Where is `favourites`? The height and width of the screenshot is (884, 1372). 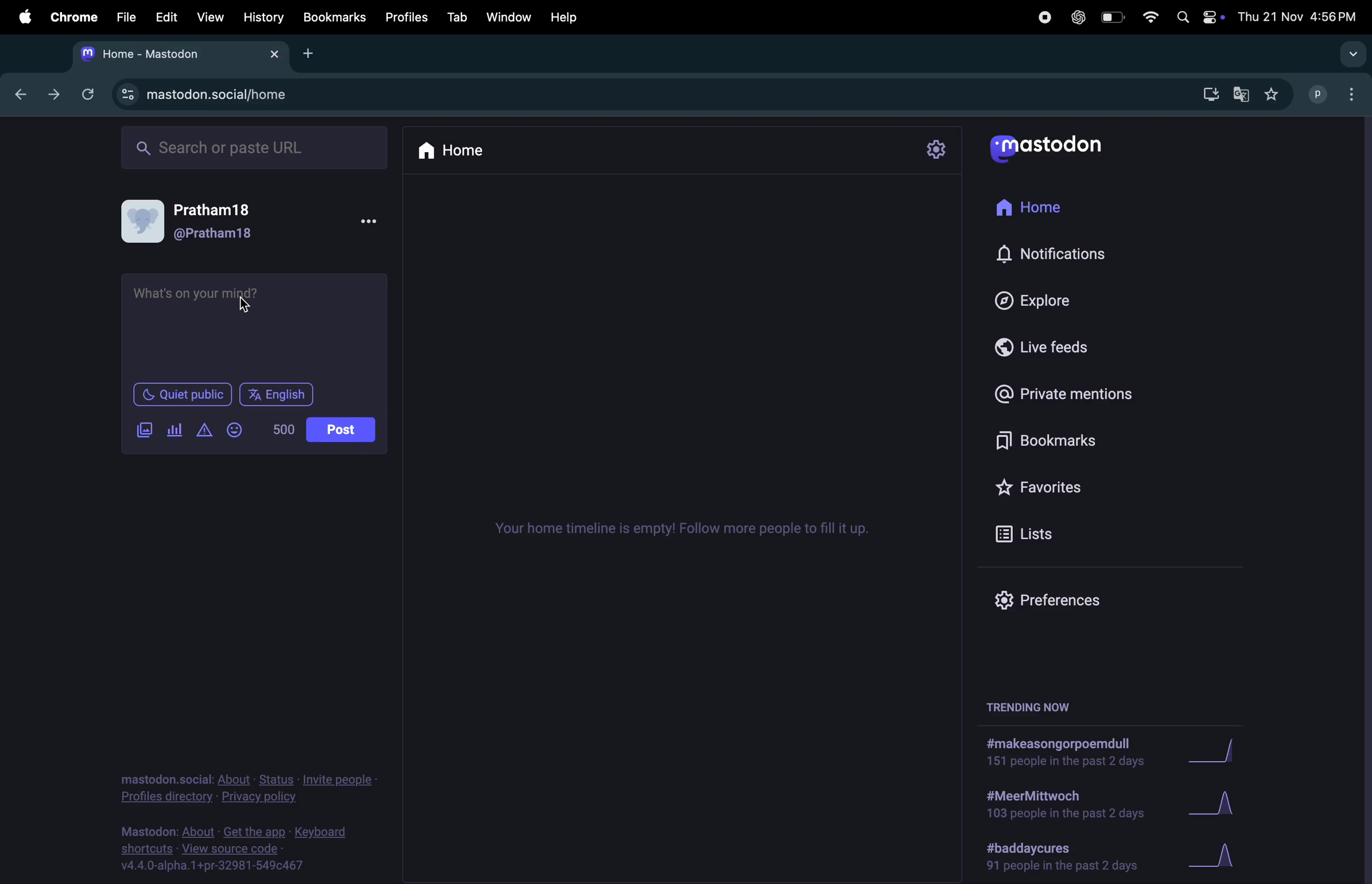 favourites is located at coordinates (1048, 490).